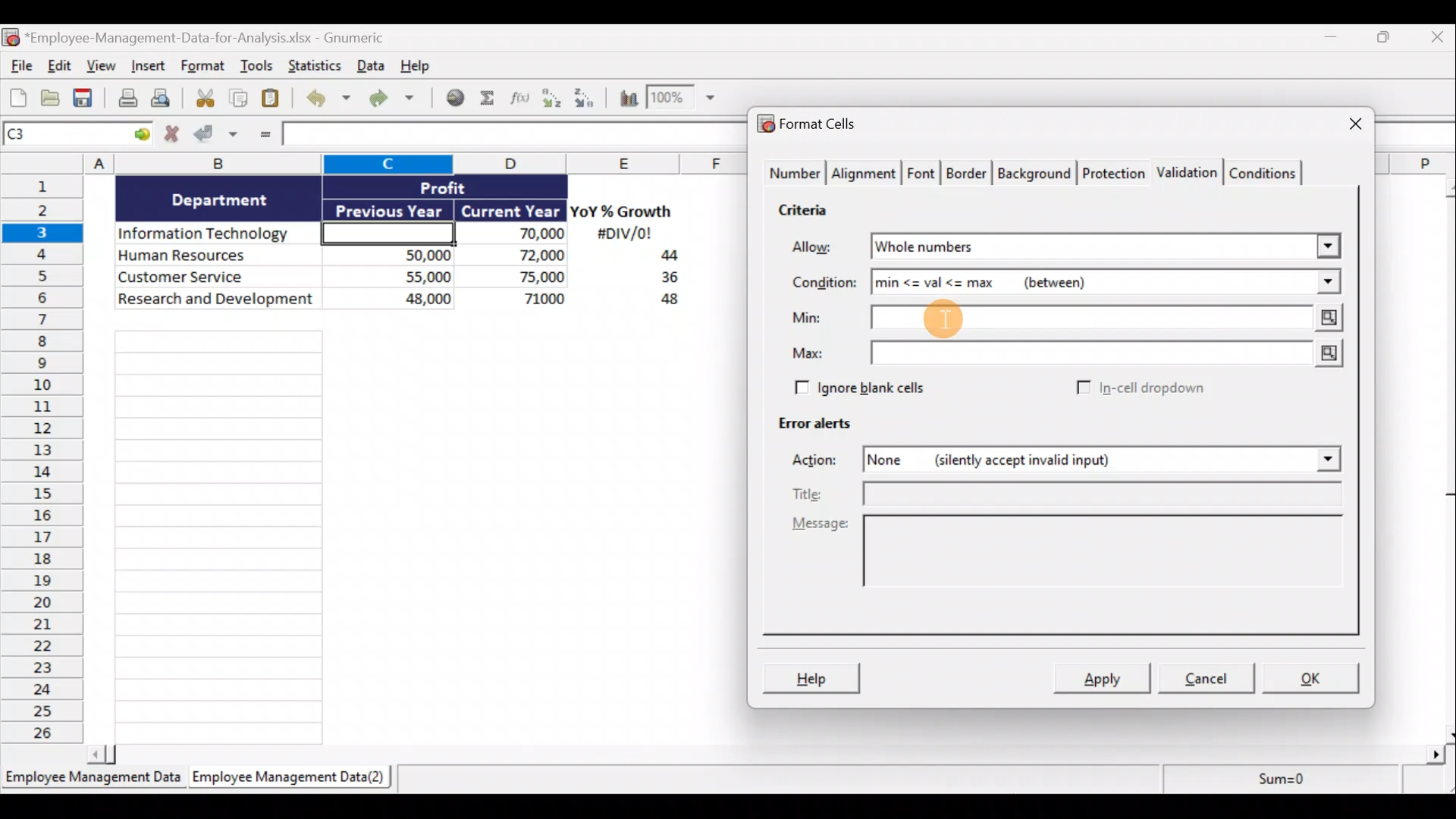 This screenshot has height=819, width=1456. Describe the element at coordinates (47, 462) in the screenshot. I see `Rows` at that location.